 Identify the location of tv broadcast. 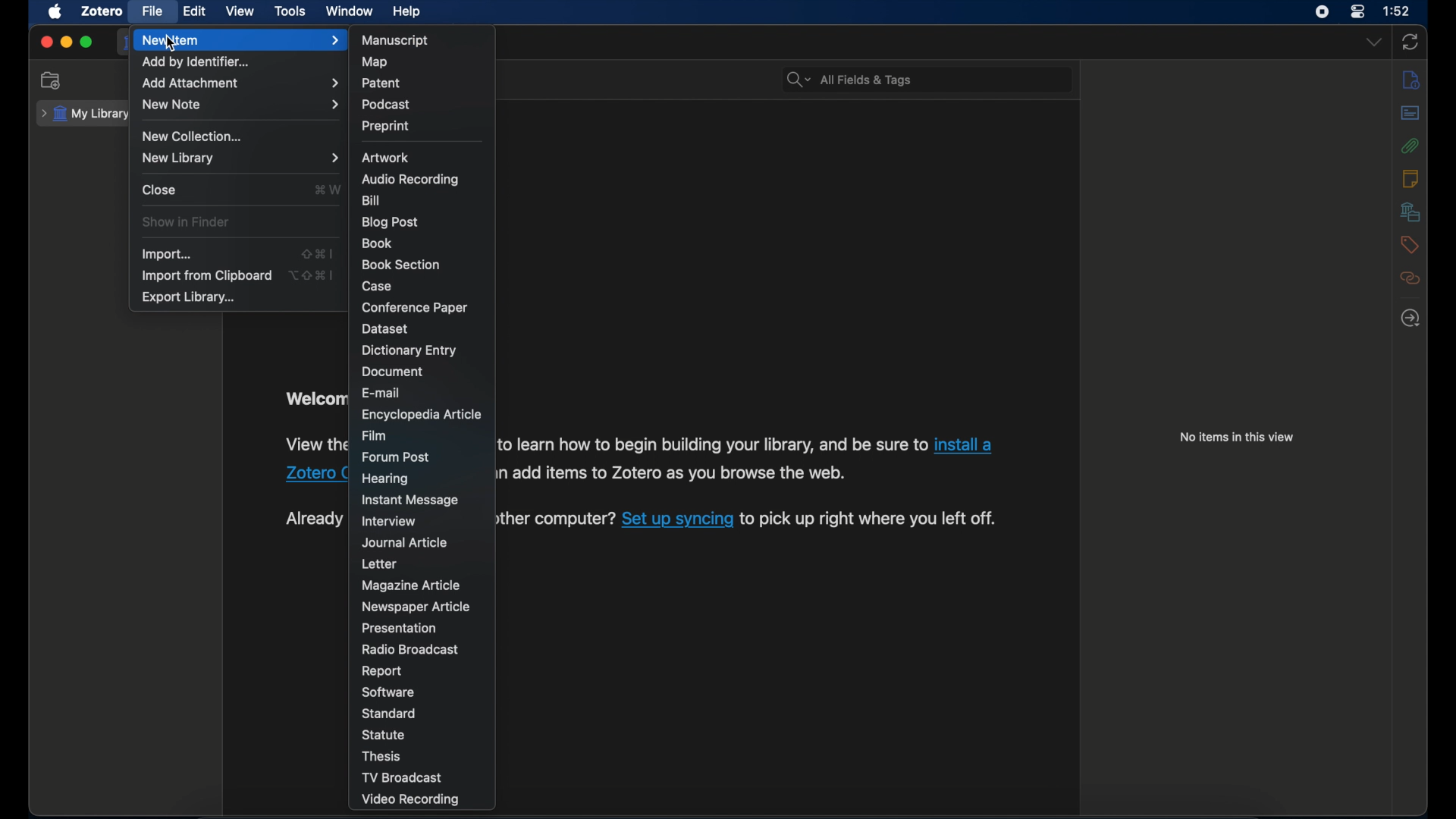
(402, 777).